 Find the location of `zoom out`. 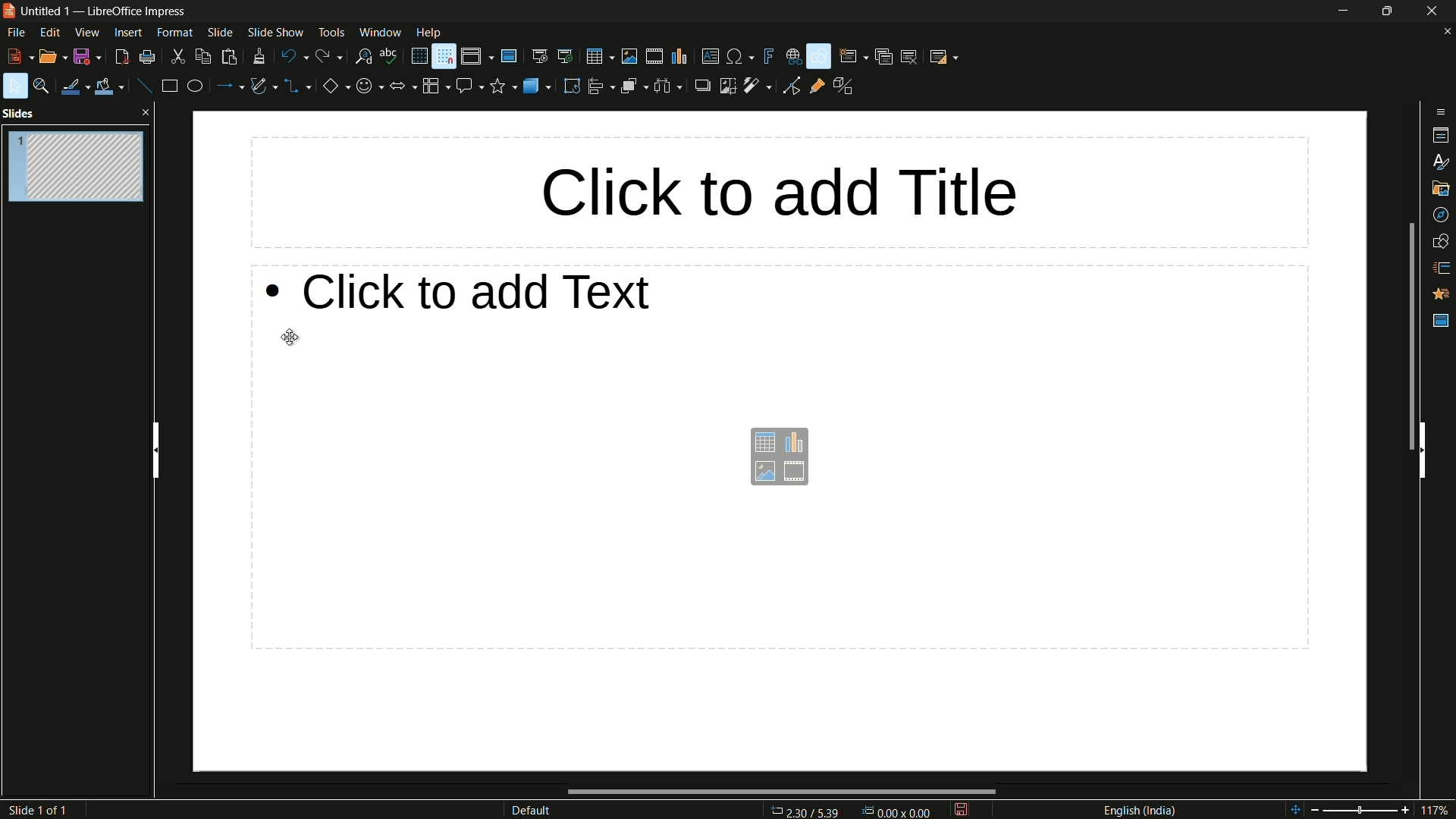

zoom out is located at coordinates (1314, 810).